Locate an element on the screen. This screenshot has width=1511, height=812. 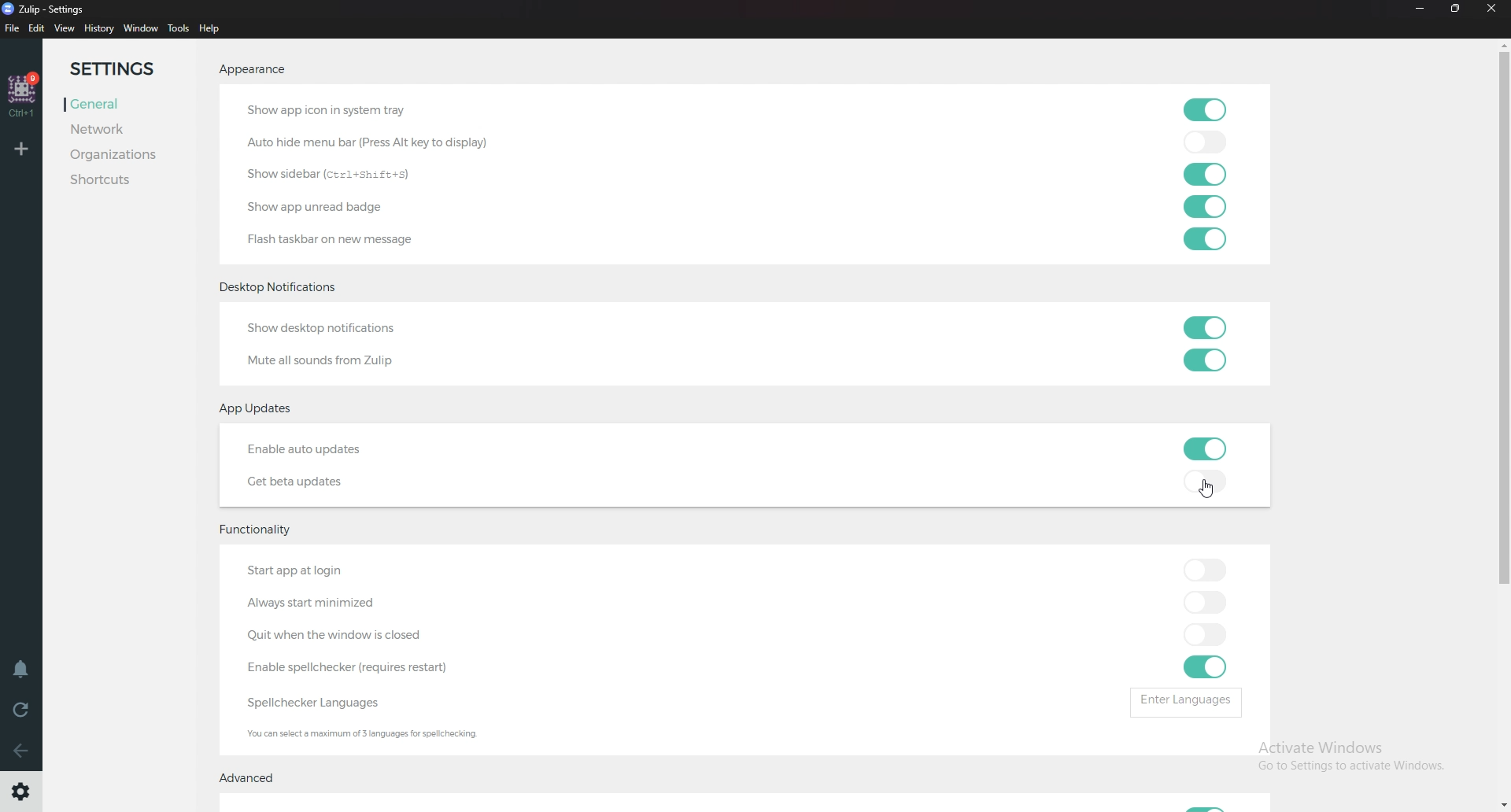
show desktop notifications is located at coordinates (367, 331).